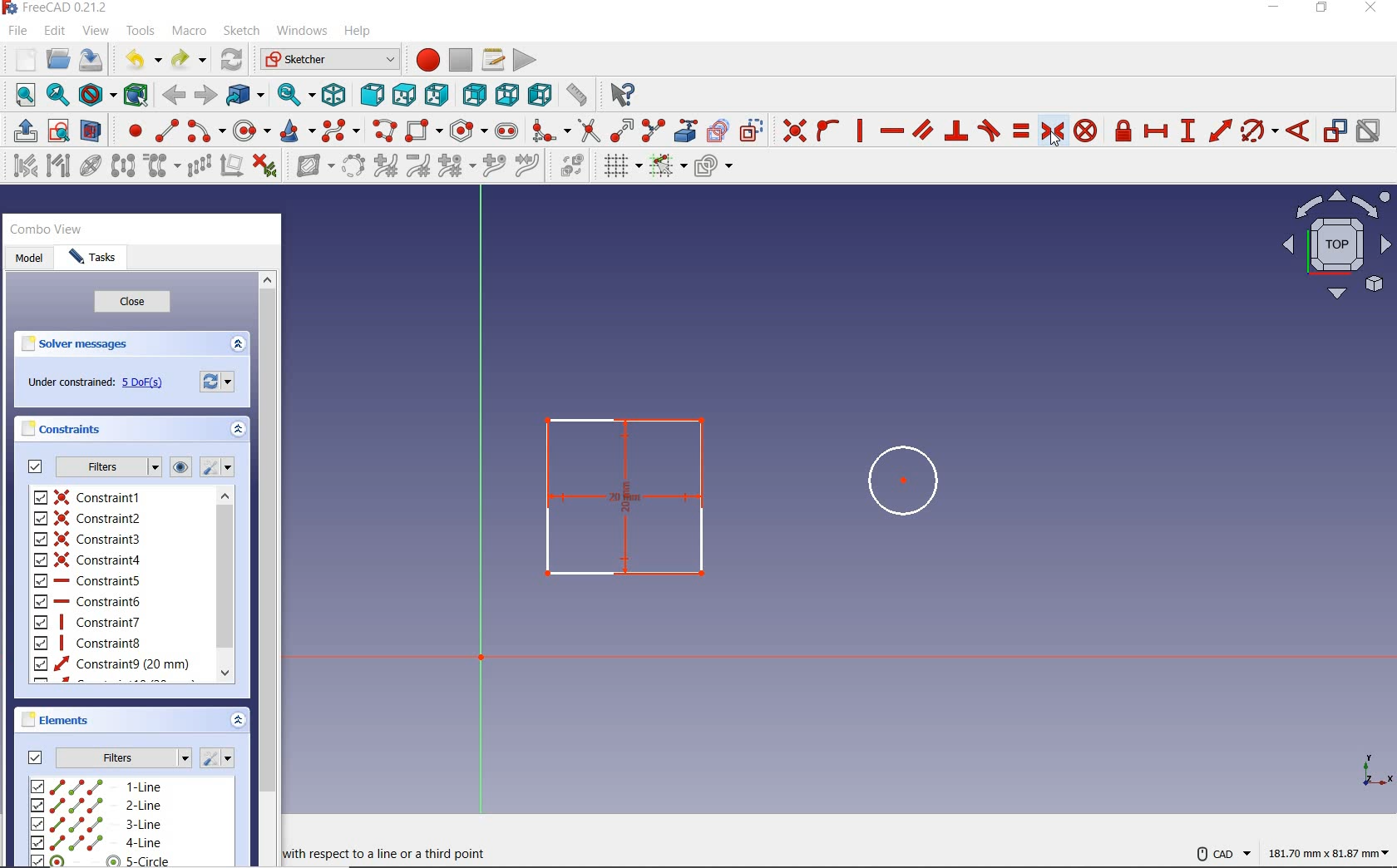 Image resolution: width=1397 pixels, height=868 pixels. Describe the element at coordinates (617, 490) in the screenshot. I see `centered rectangle` at that location.